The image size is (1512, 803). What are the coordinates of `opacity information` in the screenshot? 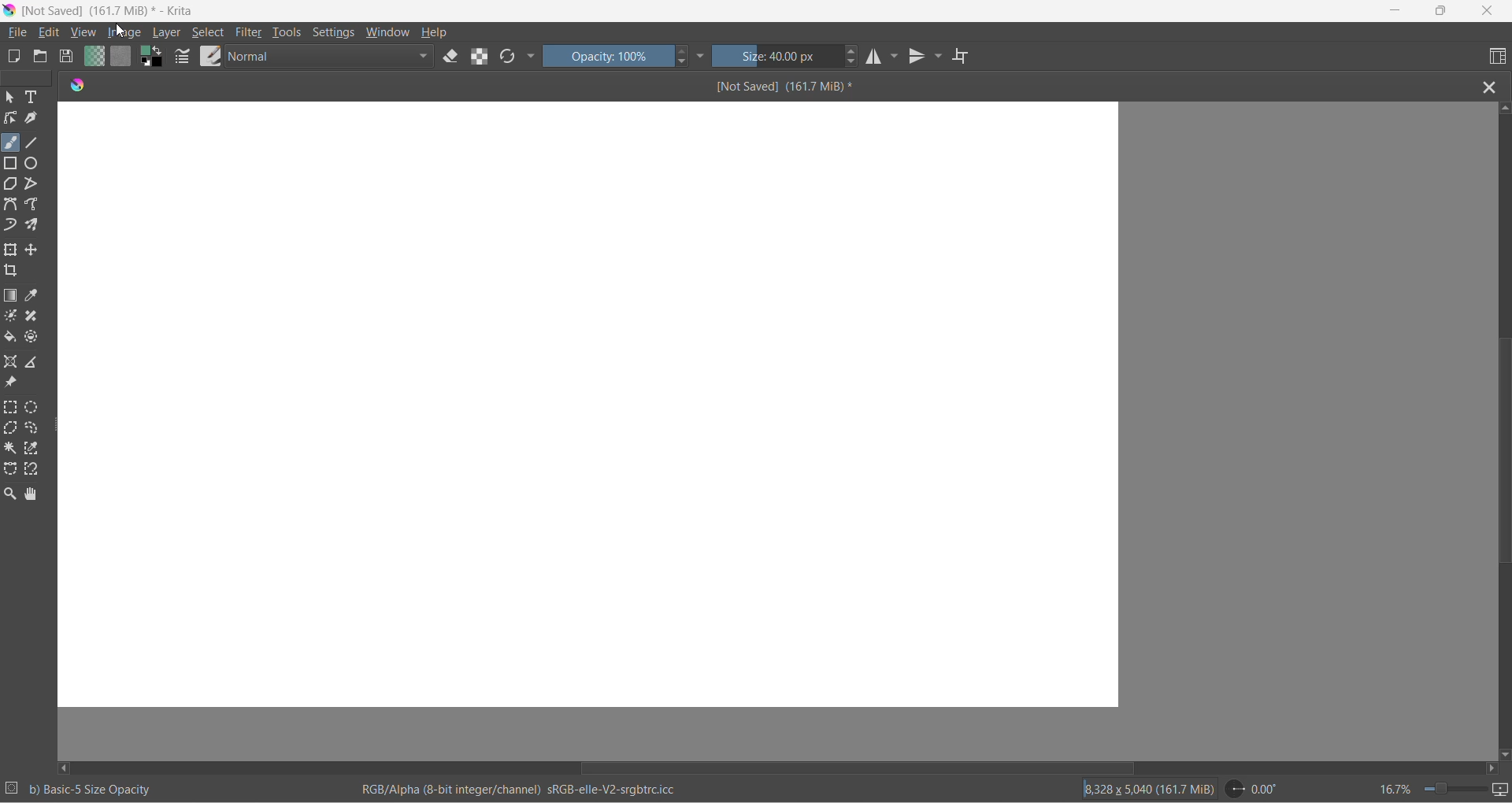 It's located at (92, 790).